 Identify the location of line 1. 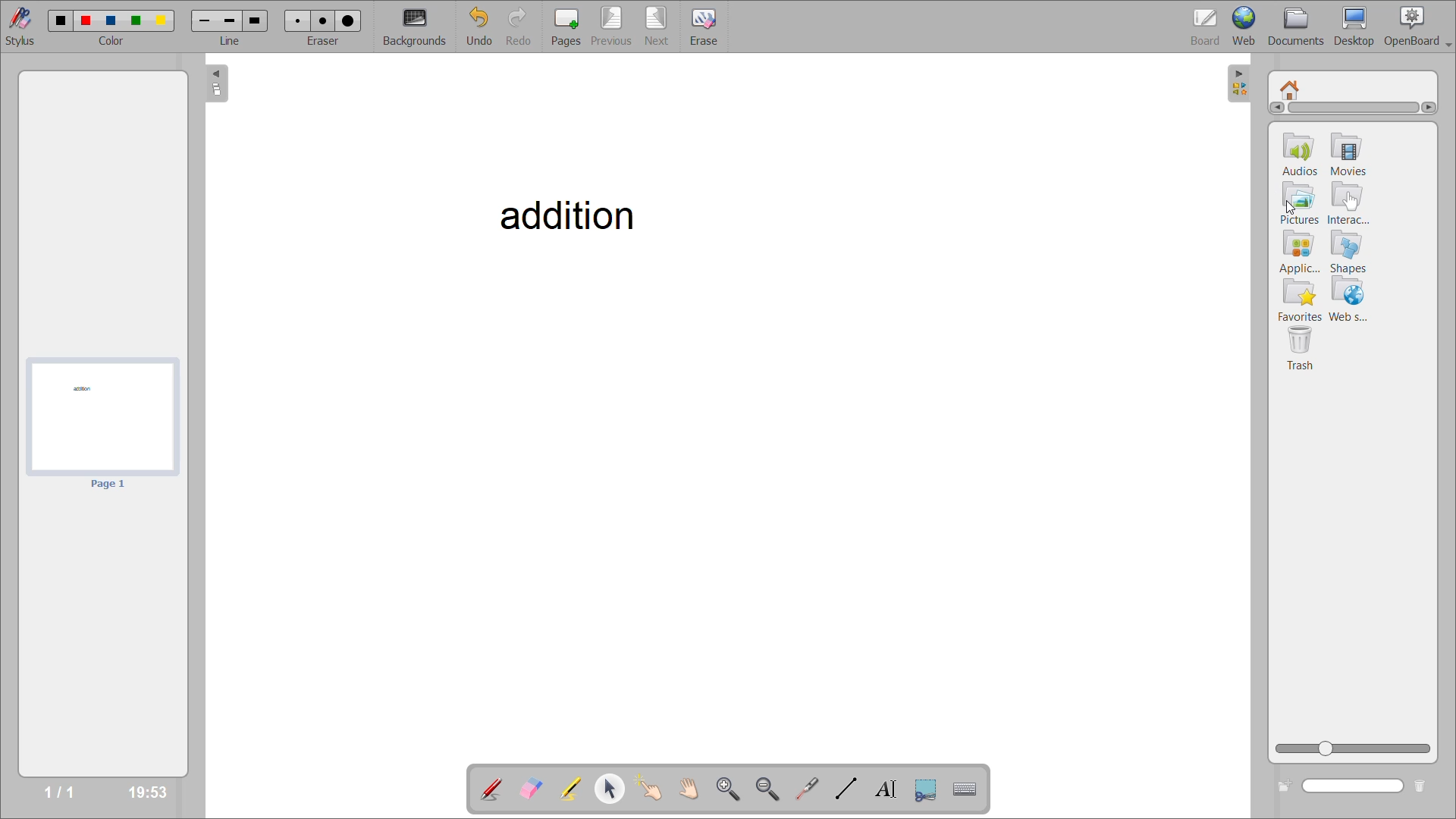
(205, 21).